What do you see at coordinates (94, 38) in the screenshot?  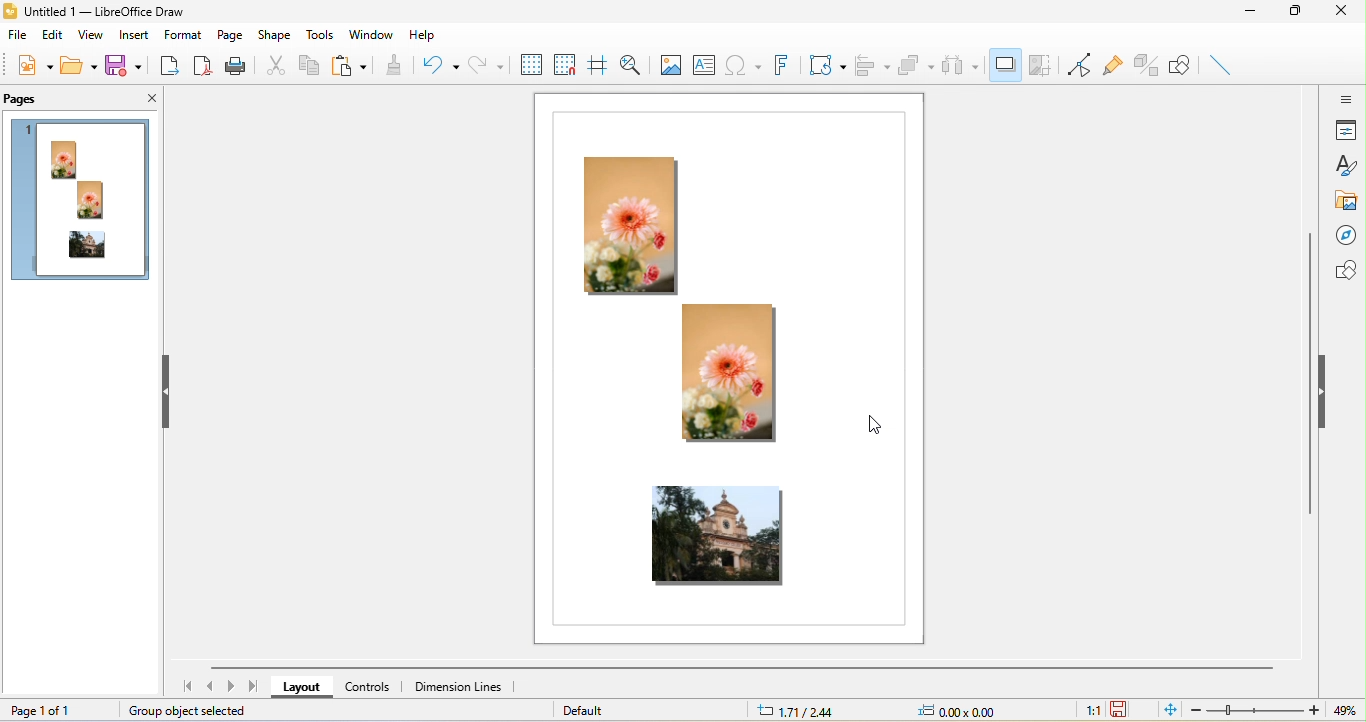 I see `view` at bounding box center [94, 38].